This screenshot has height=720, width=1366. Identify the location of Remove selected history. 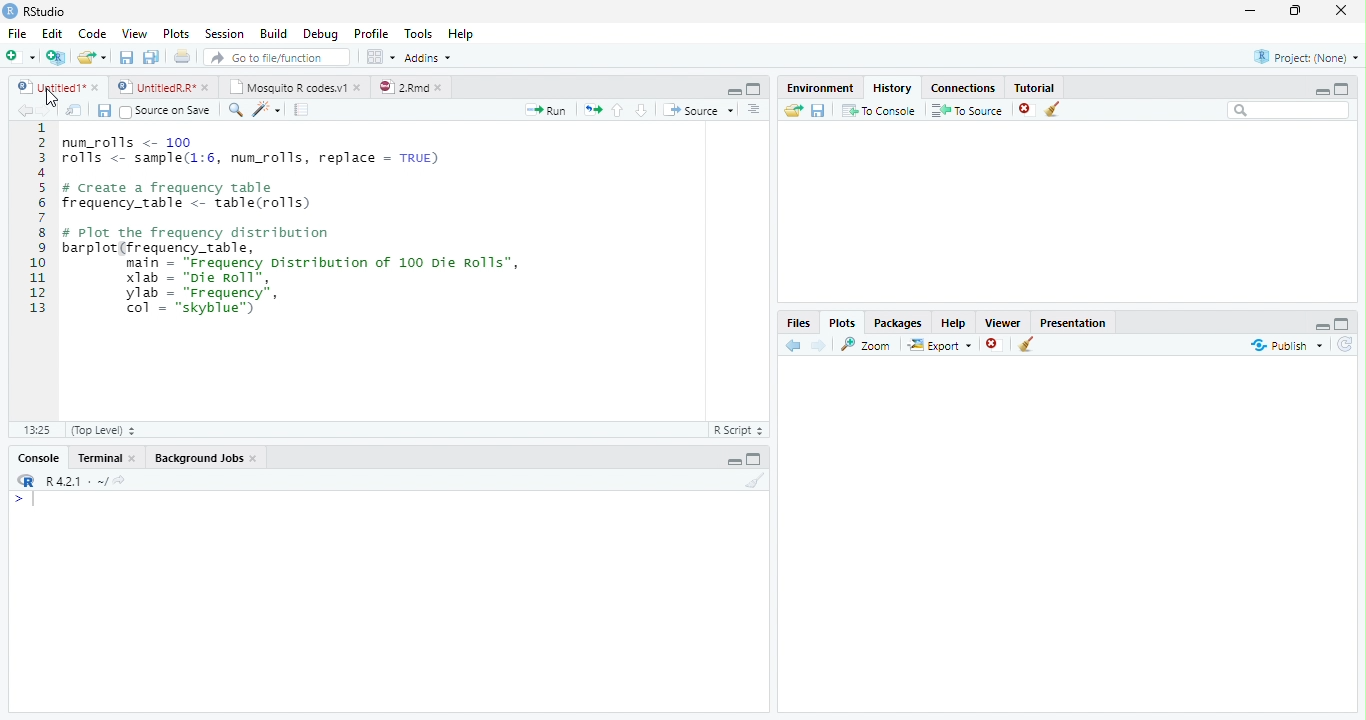
(1025, 109).